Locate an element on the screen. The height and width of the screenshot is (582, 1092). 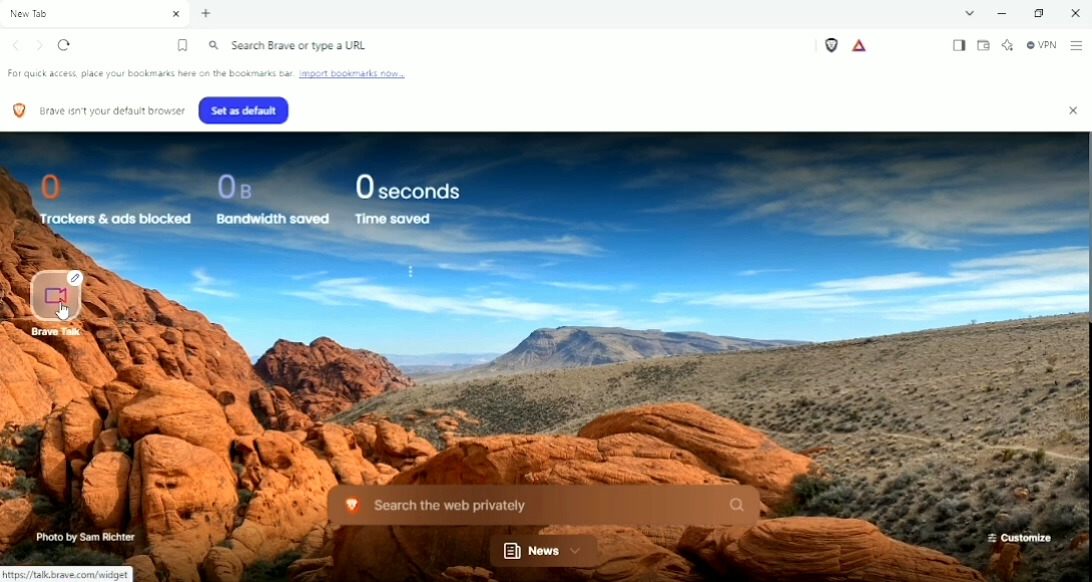
Close is located at coordinates (1074, 12).